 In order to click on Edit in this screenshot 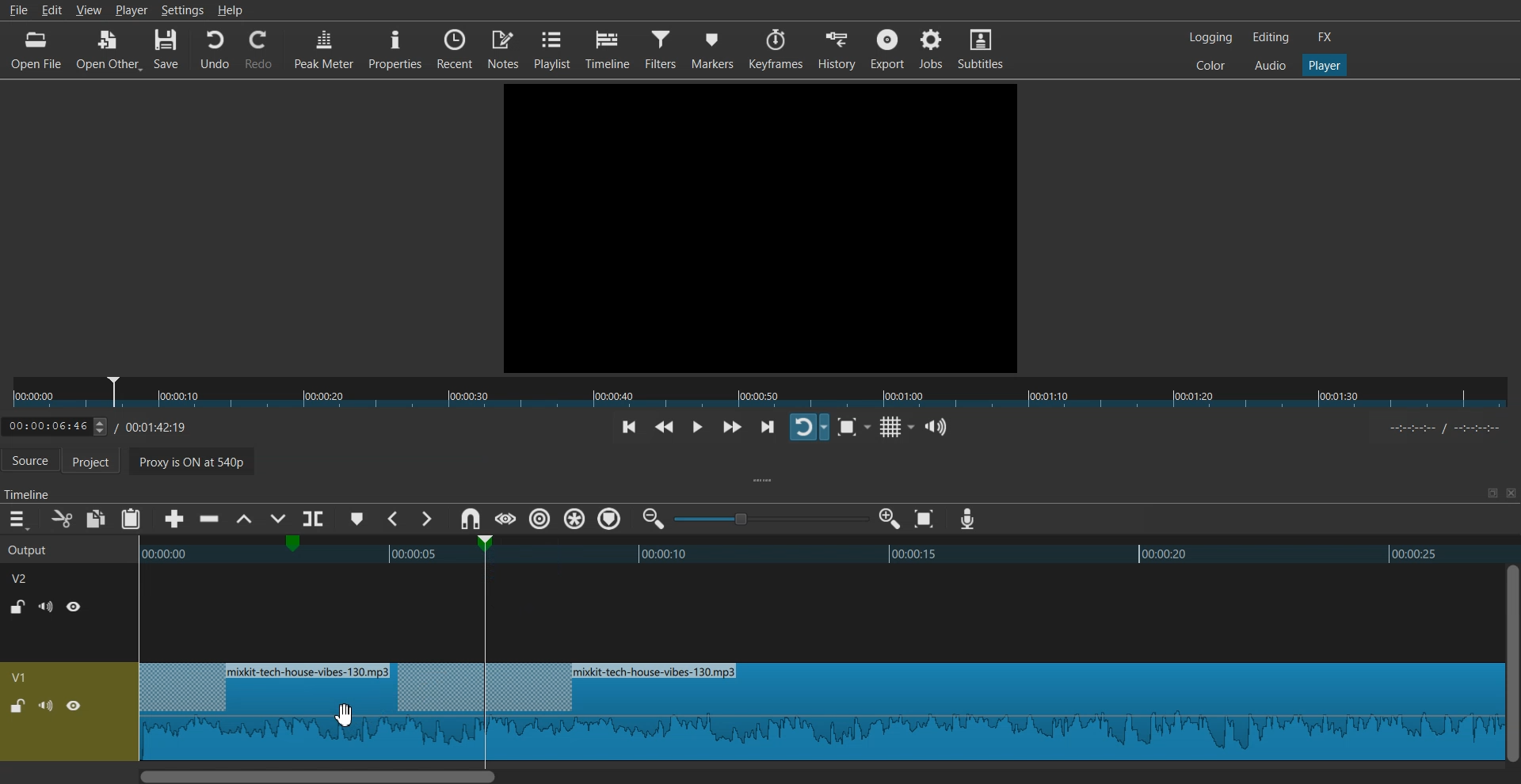, I will do `click(55, 10)`.